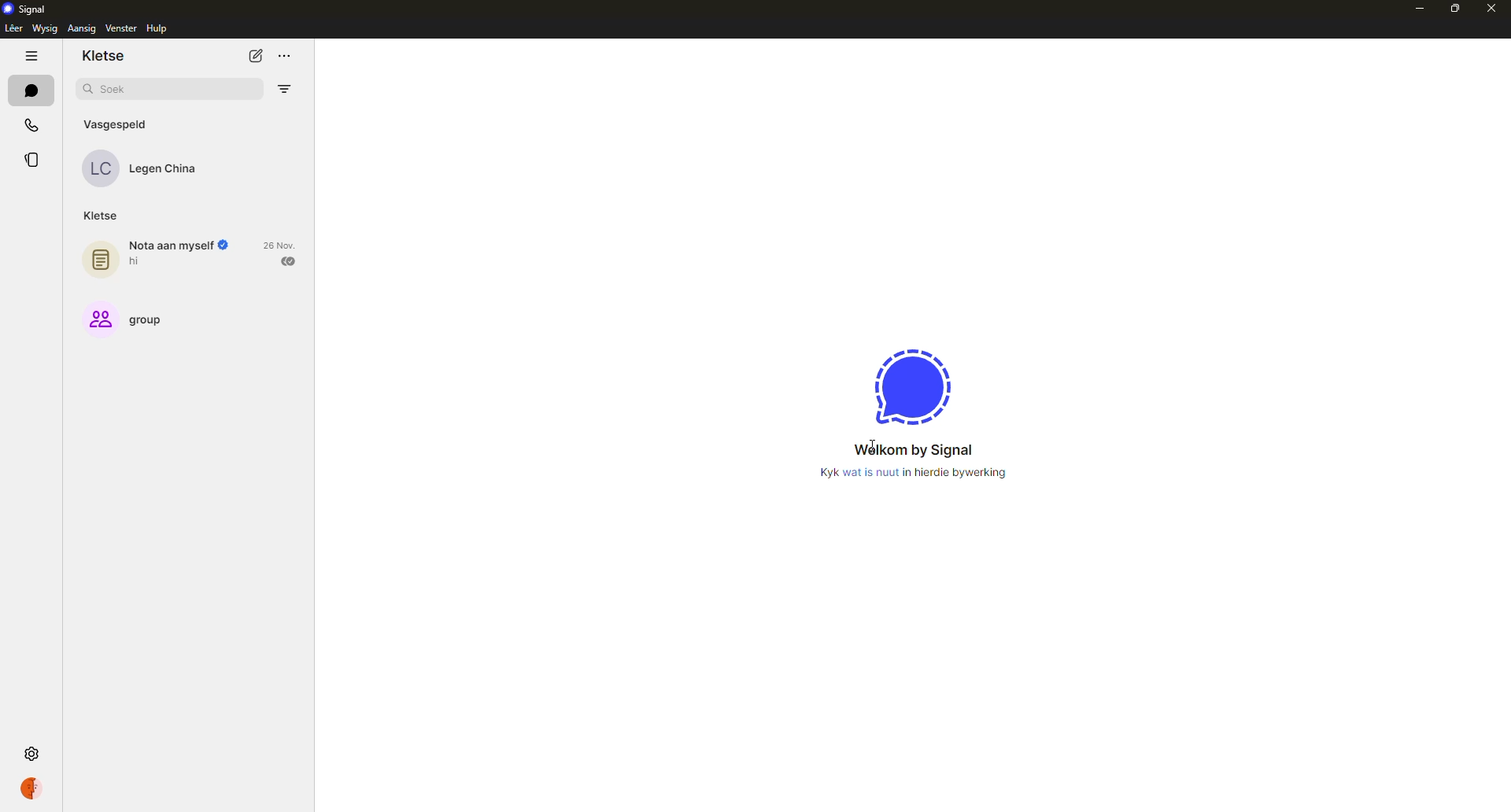 The image size is (1511, 812). I want to click on signal, so click(25, 8).